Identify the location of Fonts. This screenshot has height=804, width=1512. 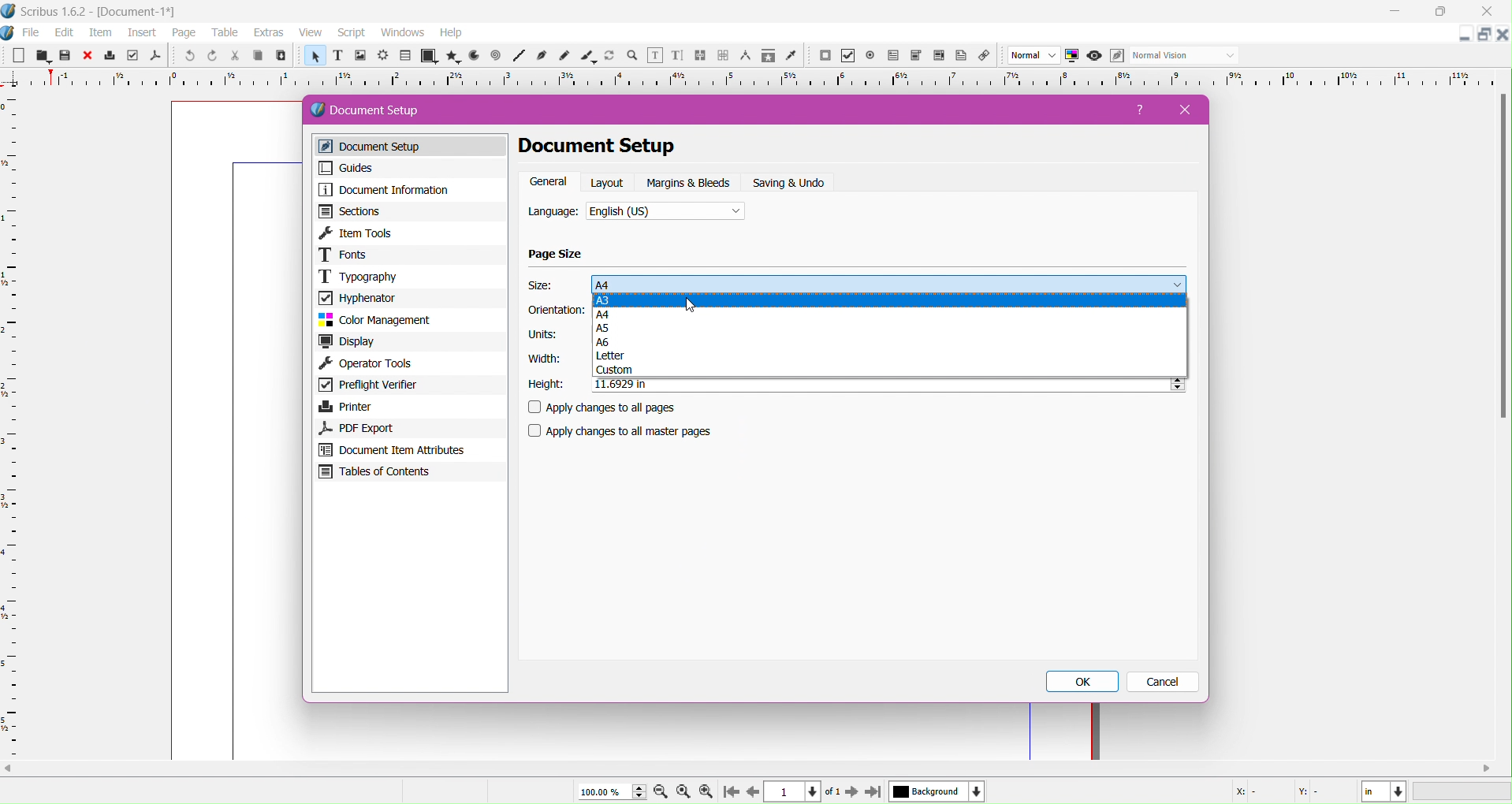
(411, 255).